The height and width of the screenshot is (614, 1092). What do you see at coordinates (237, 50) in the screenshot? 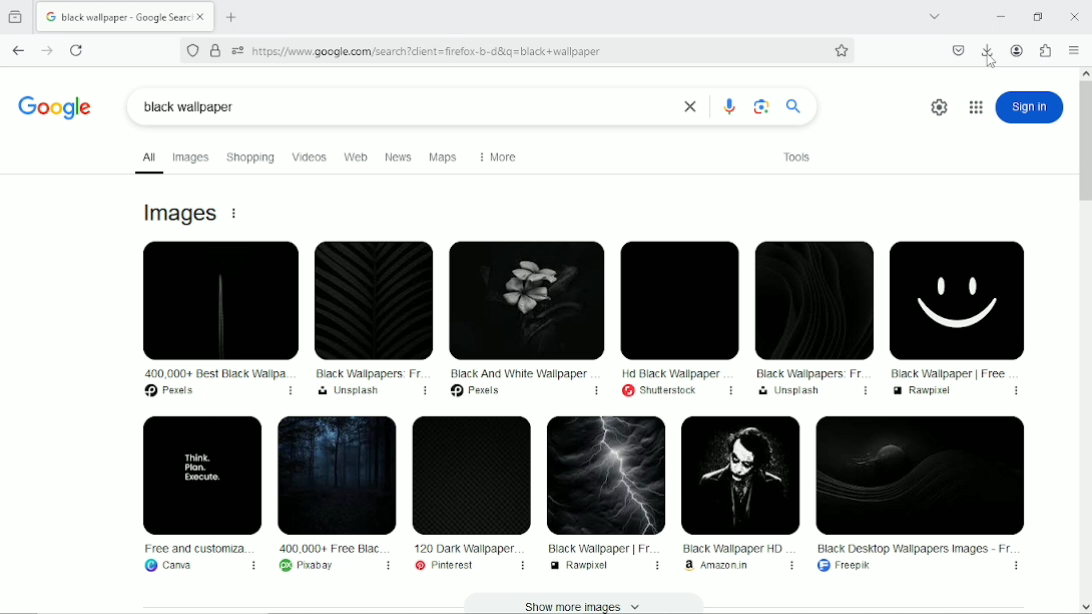
I see `you have granted this website additional permissions ` at bounding box center [237, 50].